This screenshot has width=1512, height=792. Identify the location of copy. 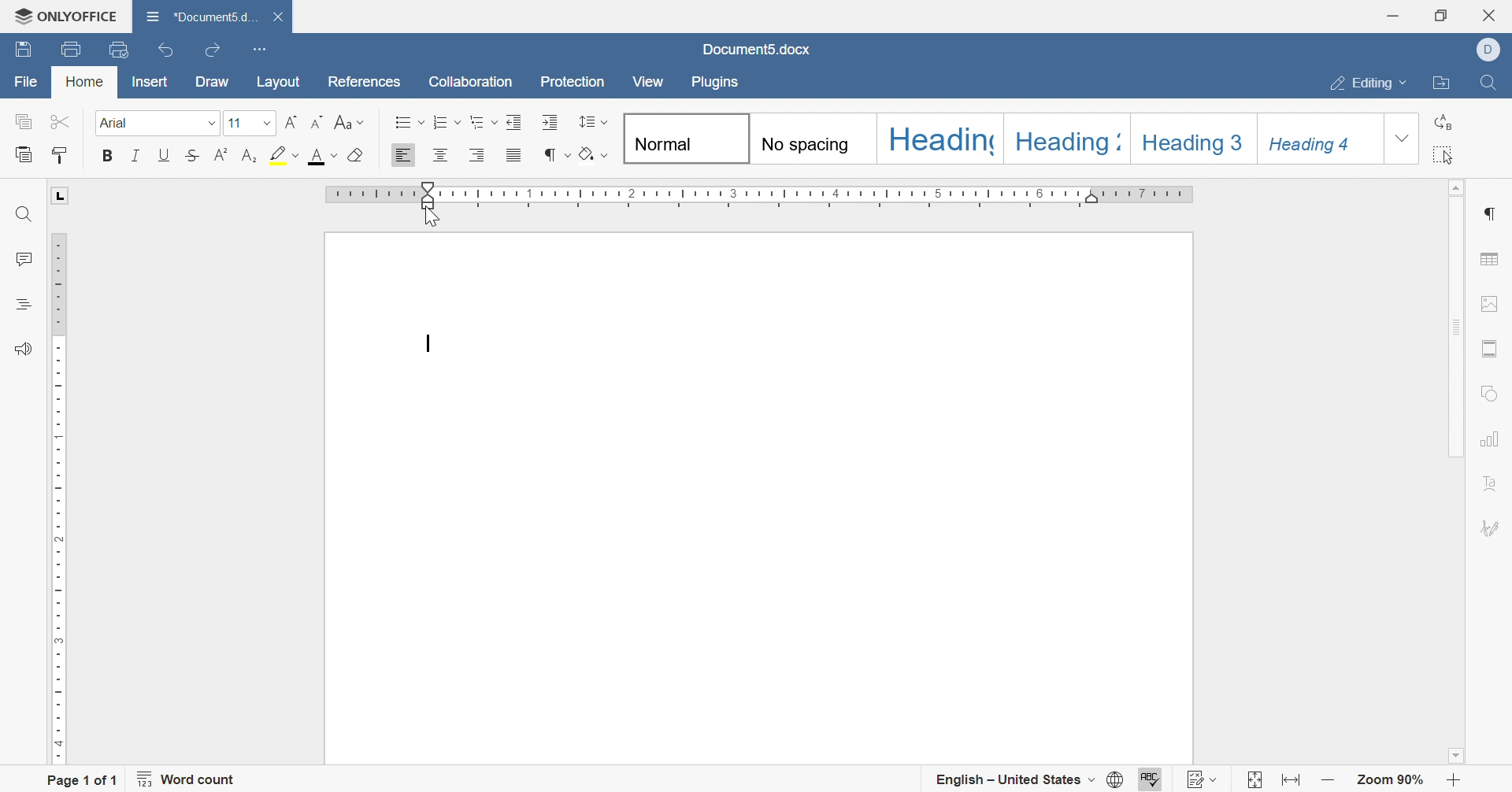
(23, 121).